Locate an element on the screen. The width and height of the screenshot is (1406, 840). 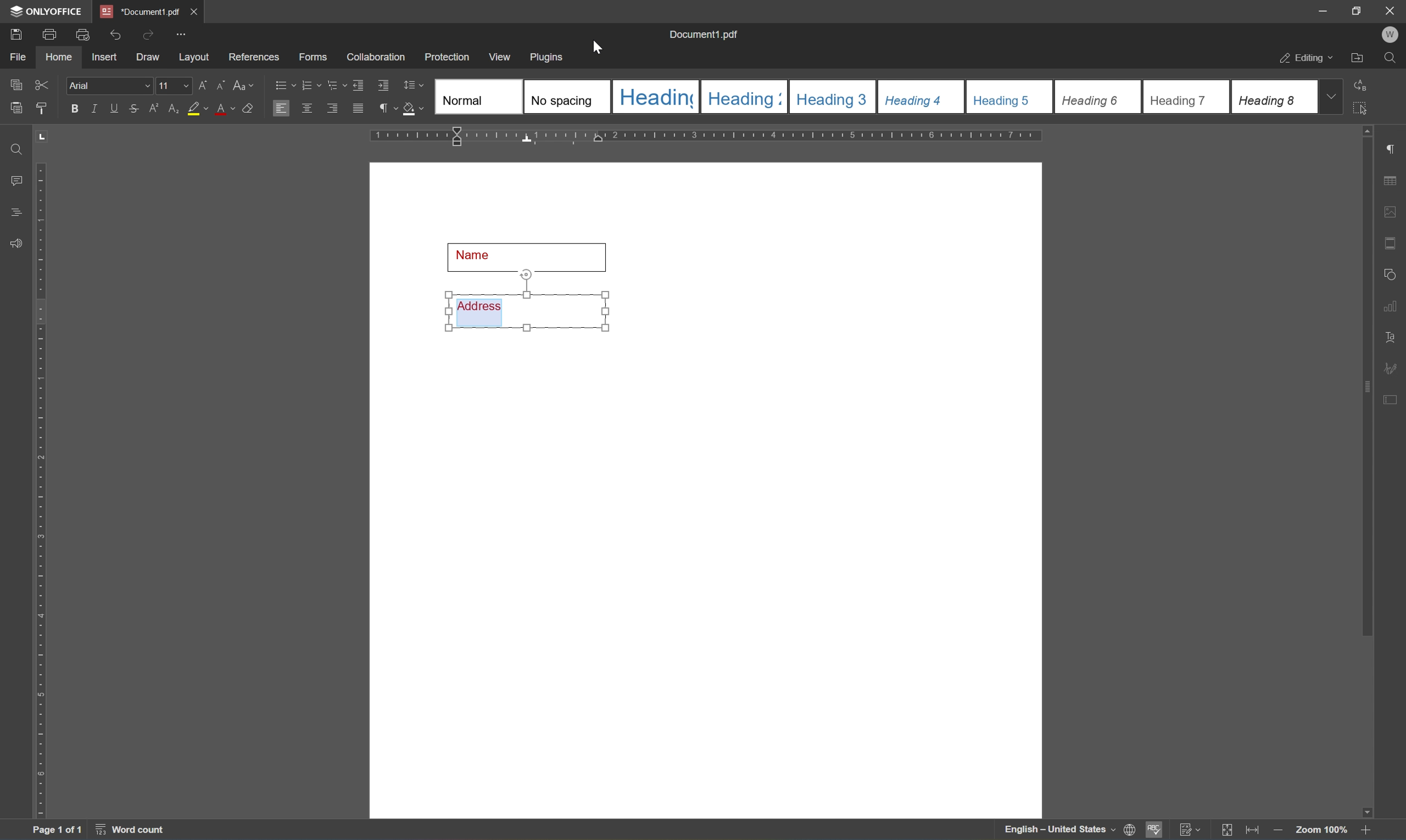
page 1 of 1 is located at coordinates (59, 830).